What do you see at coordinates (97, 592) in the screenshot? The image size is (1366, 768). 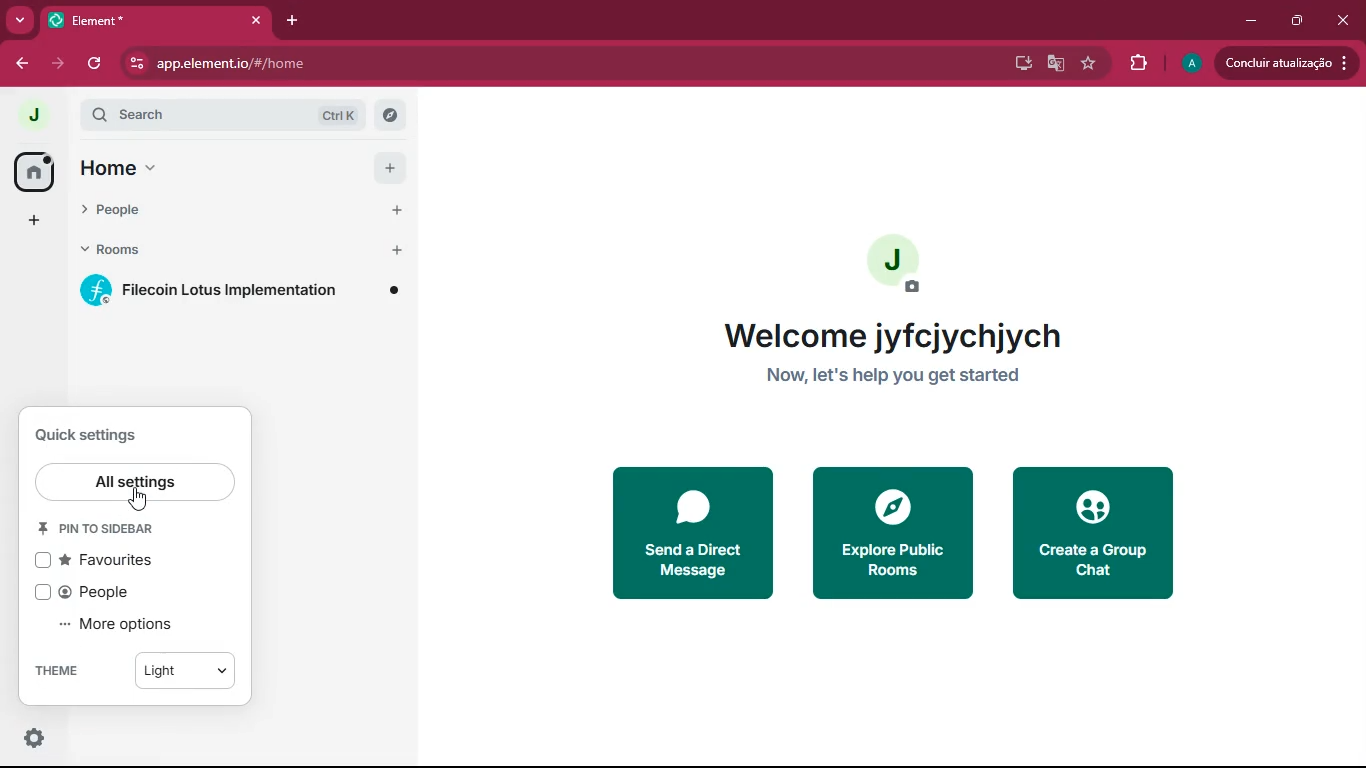 I see `people` at bounding box center [97, 592].